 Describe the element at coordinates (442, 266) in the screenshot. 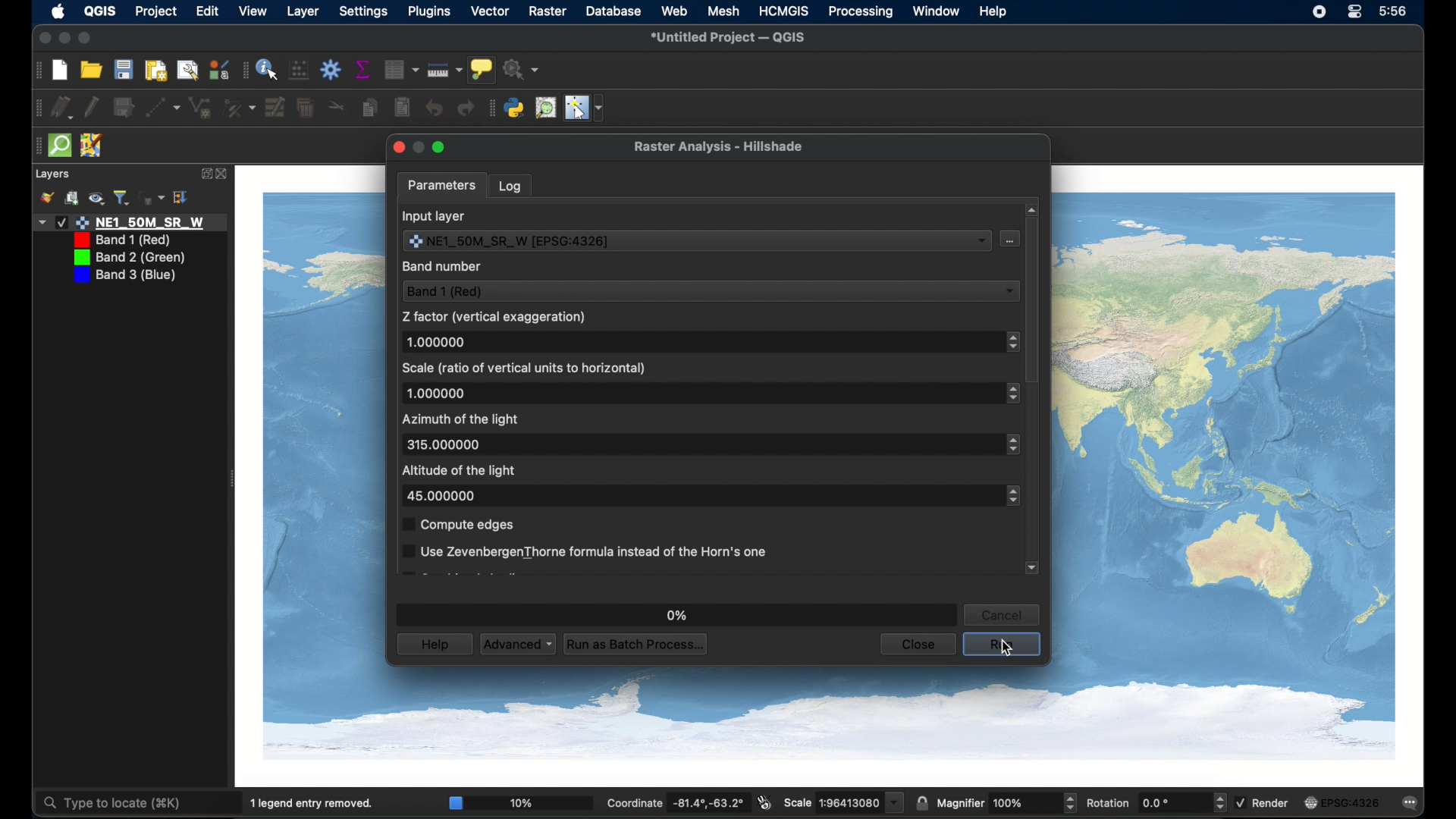

I see `band number` at that location.